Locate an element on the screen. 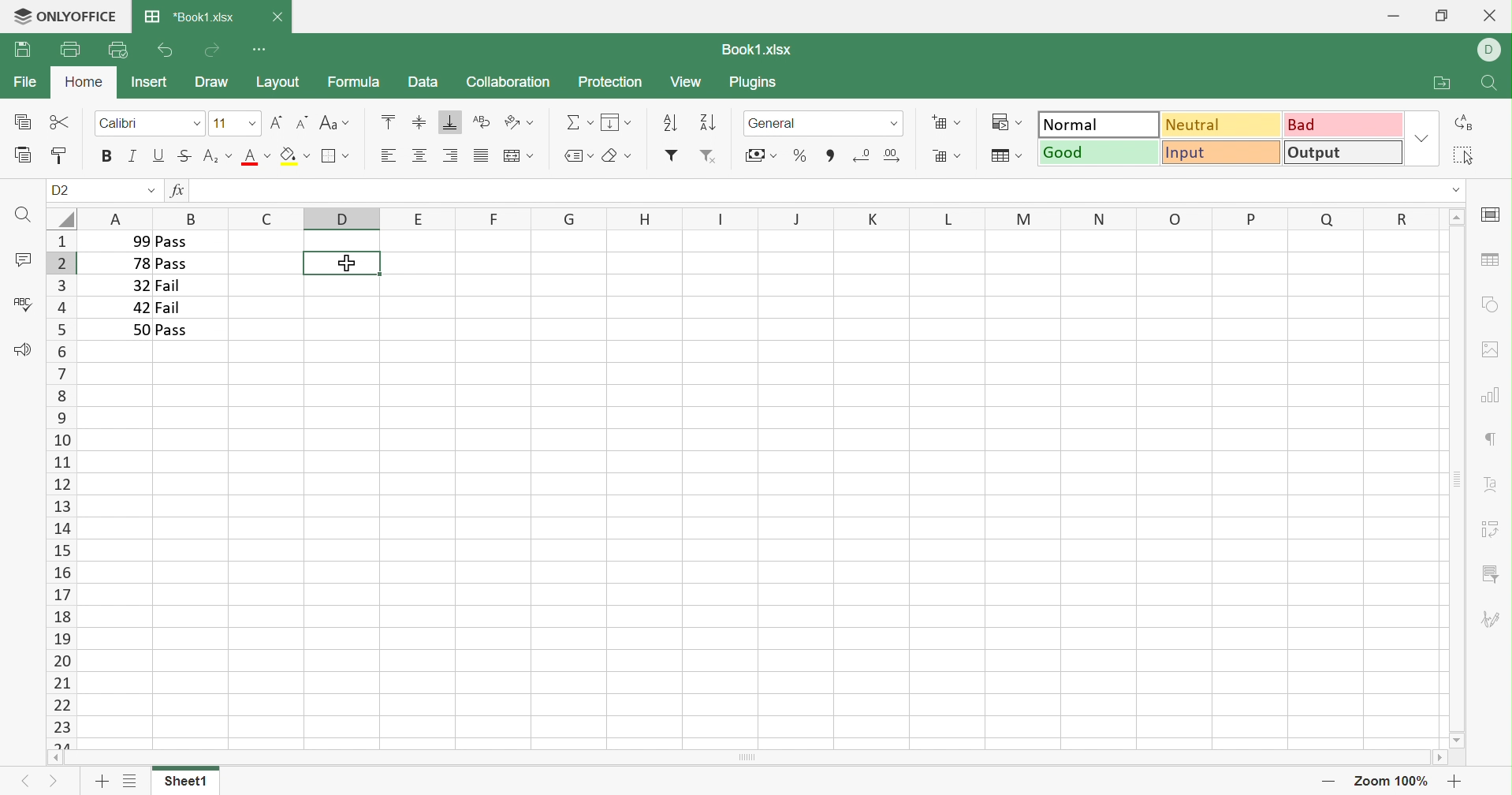 The width and height of the screenshot is (1512, 795). Filter is located at coordinates (671, 155).